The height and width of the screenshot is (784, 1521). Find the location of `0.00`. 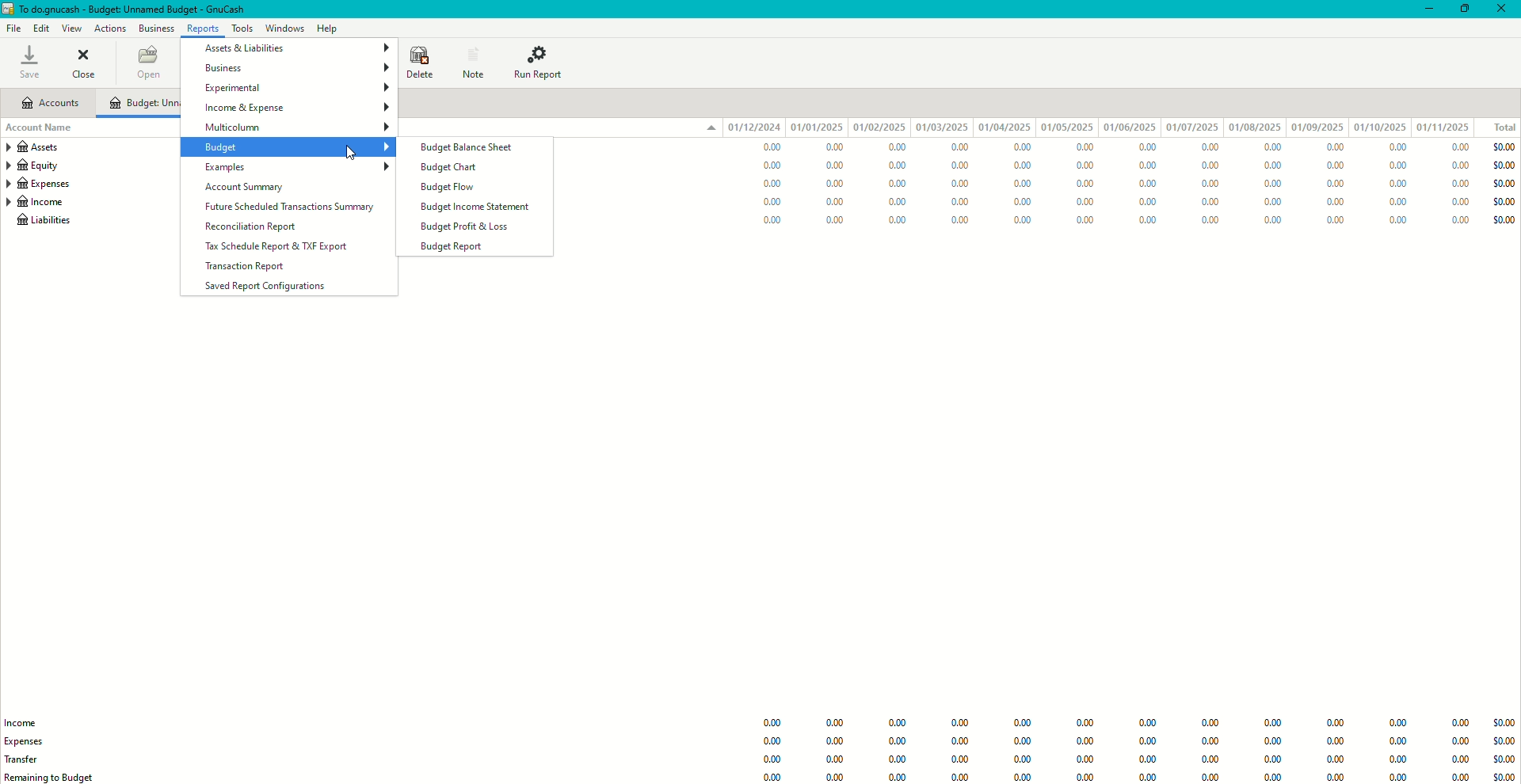

0.00 is located at coordinates (839, 202).